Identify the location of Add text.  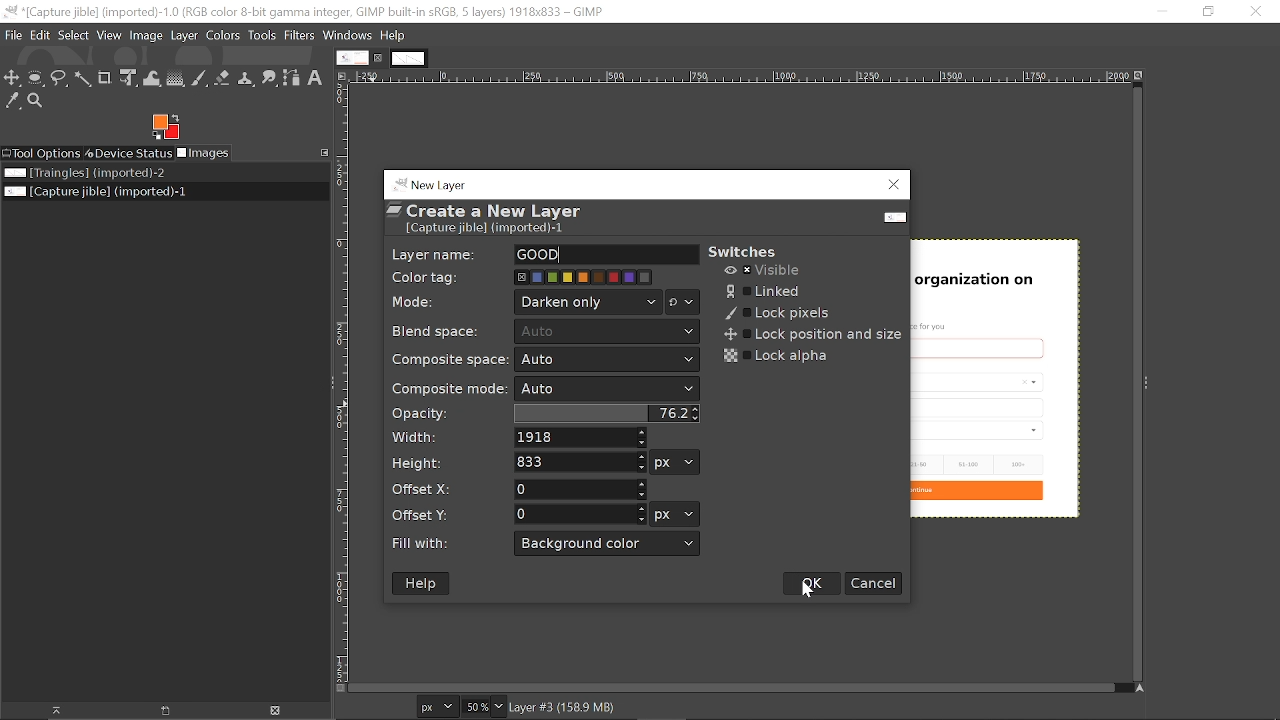
(319, 79).